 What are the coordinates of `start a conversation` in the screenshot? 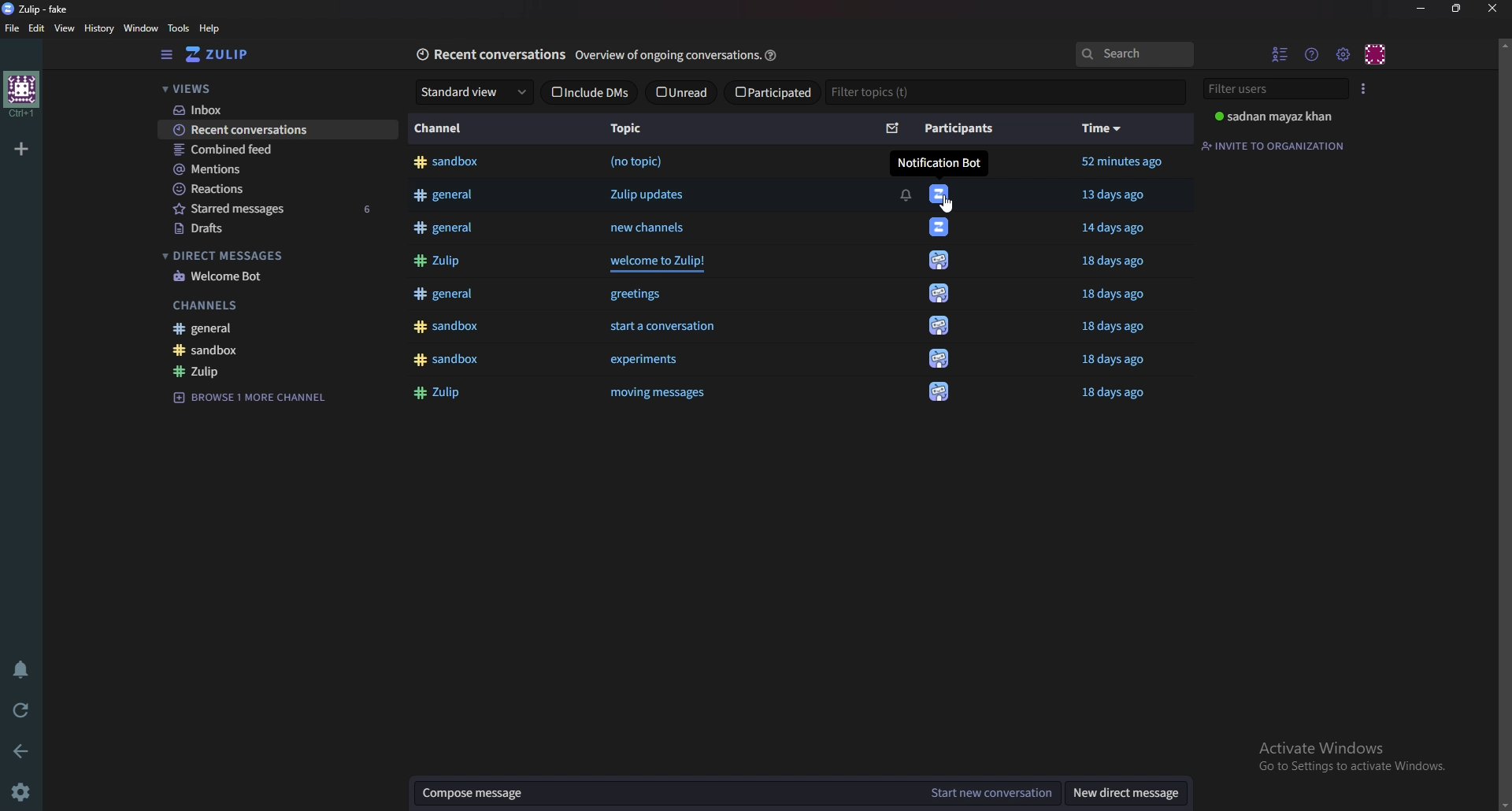 It's located at (661, 328).